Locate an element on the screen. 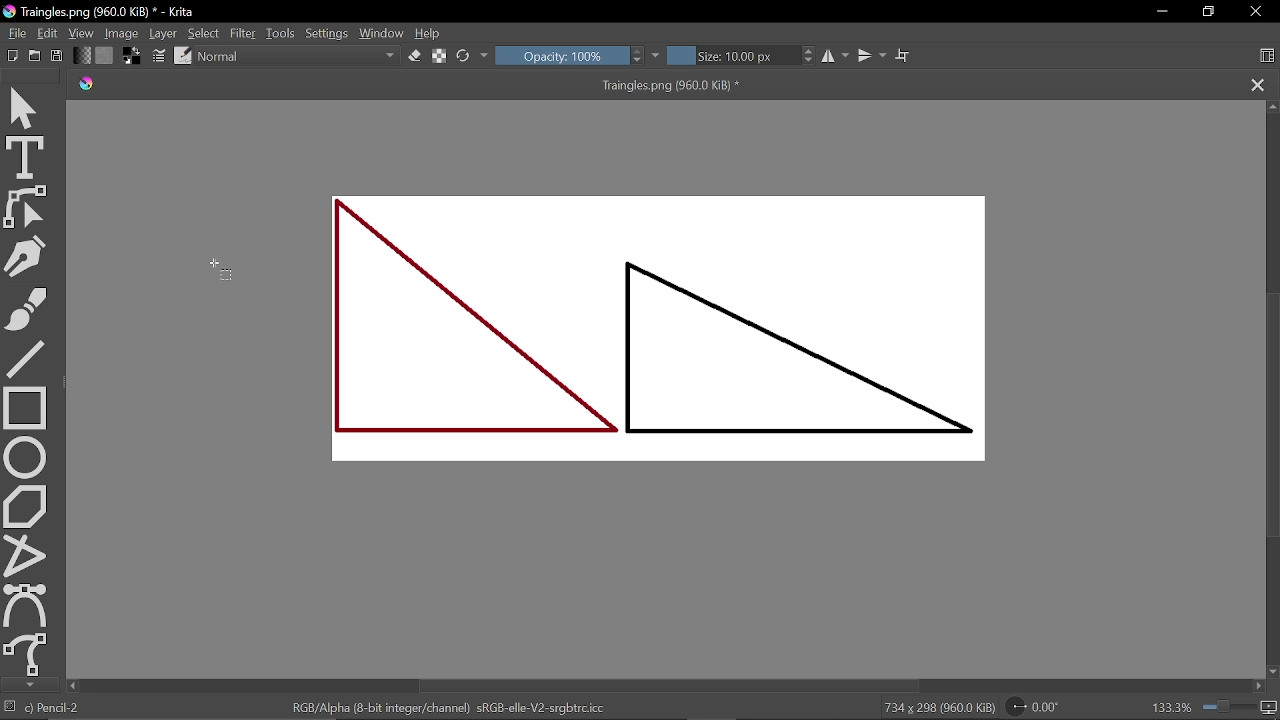 This screenshot has height=720, width=1280. Ellipse tool is located at coordinates (25, 457).